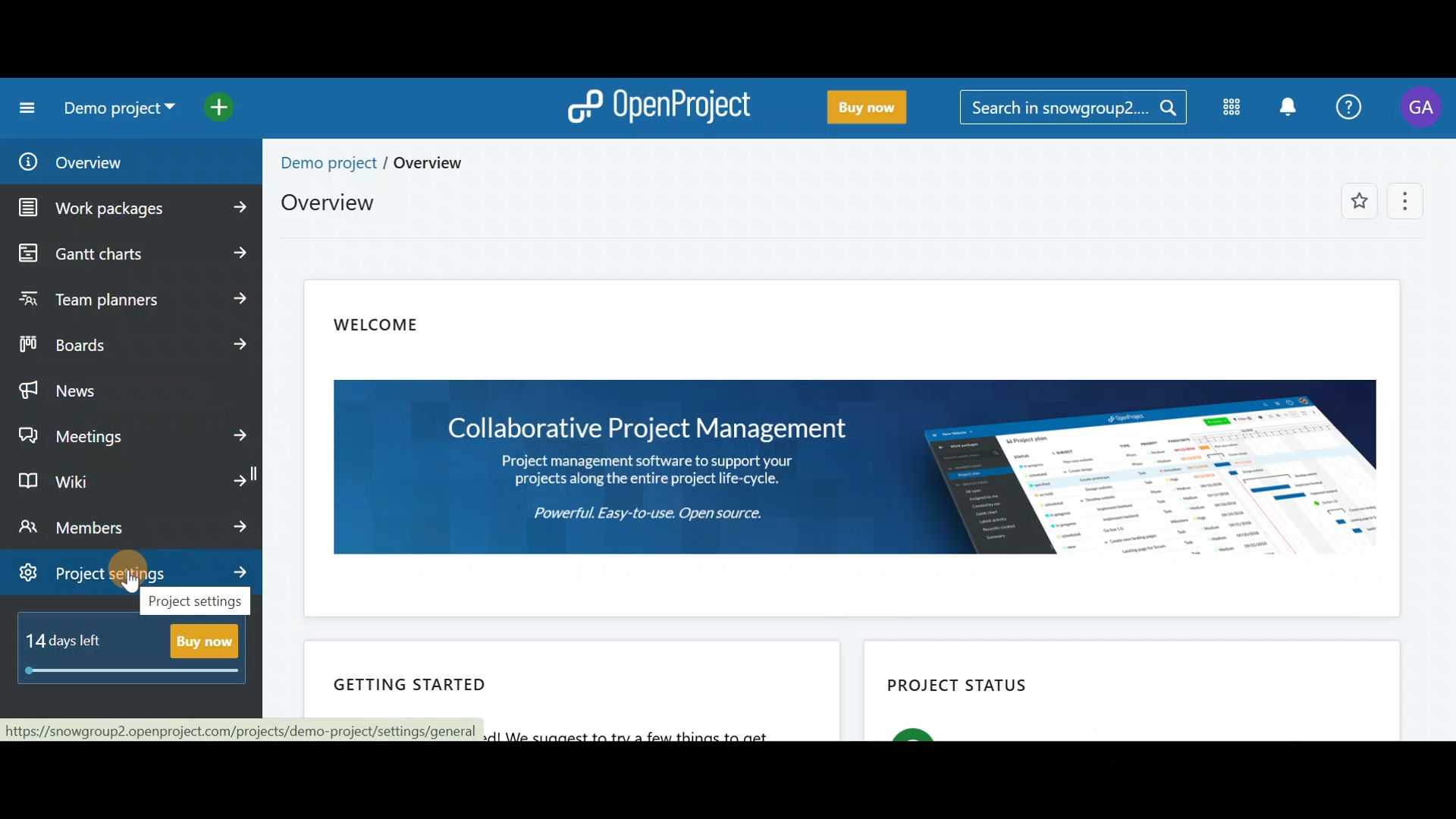 The height and width of the screenshot is (819, 1456). What do you see at coordinates (660, 111) in the screenshot?
I see `OpenProject` at bounding box center [660, 111].